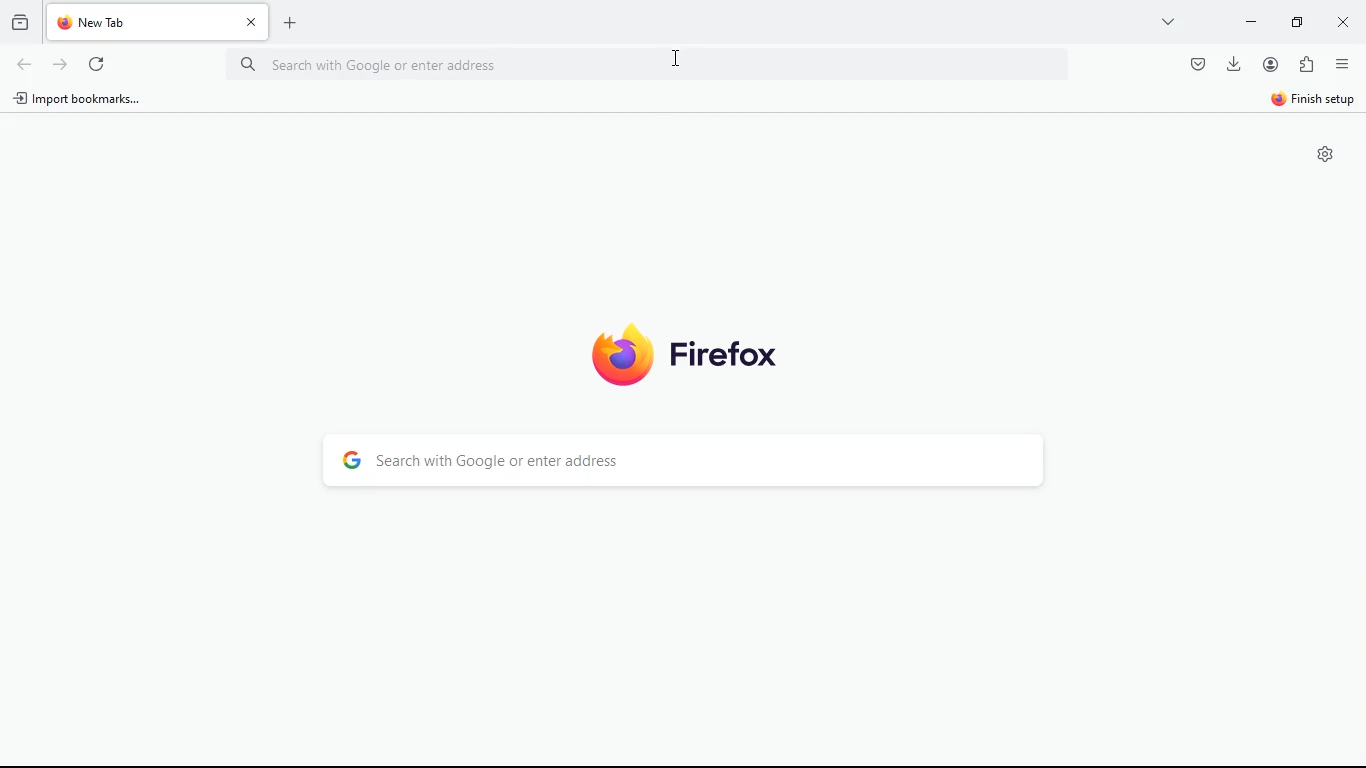 Image resolution: width=1366 pixels, height=768 pixels. What do you see at coordinates (1342, 64) in the screenshot?
I see `menu` at bounding box center [1342, 64].